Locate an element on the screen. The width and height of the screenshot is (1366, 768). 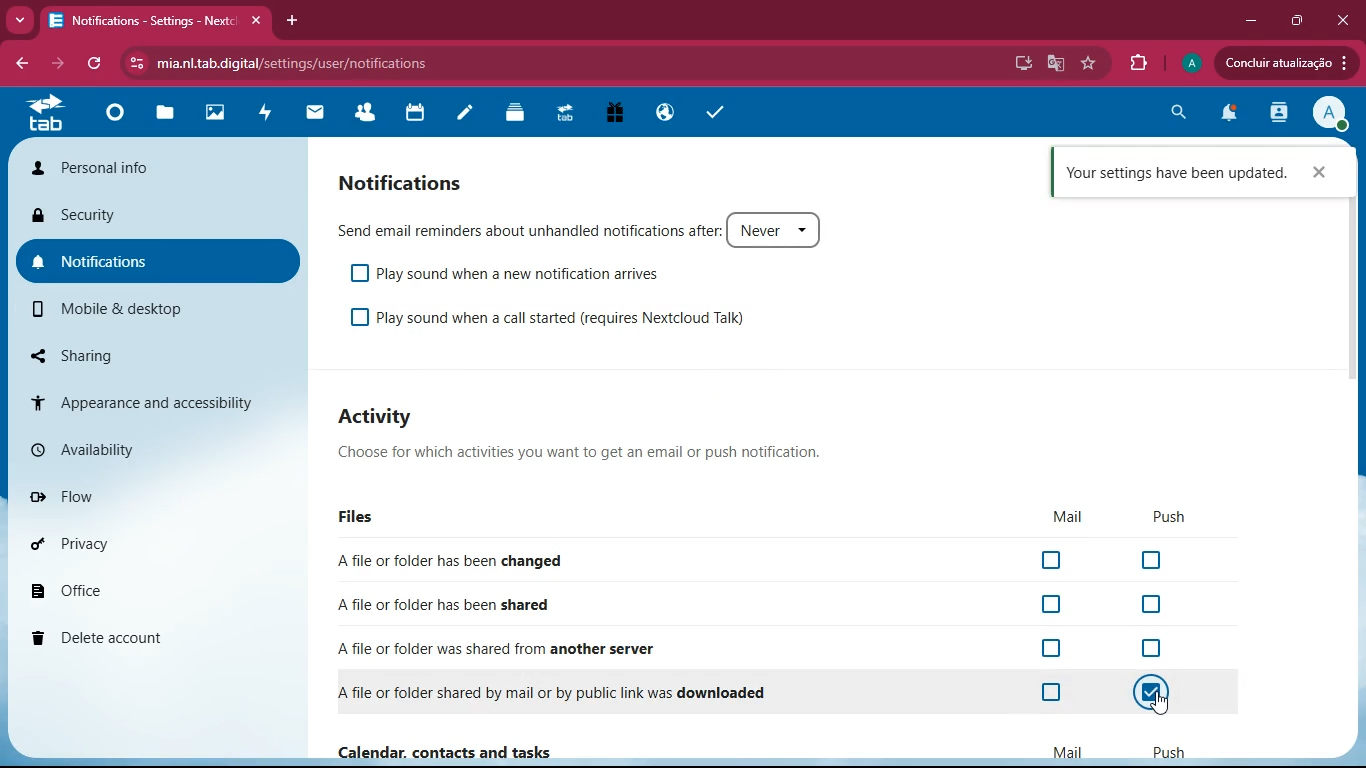
home is located at coordinates (110, 117).